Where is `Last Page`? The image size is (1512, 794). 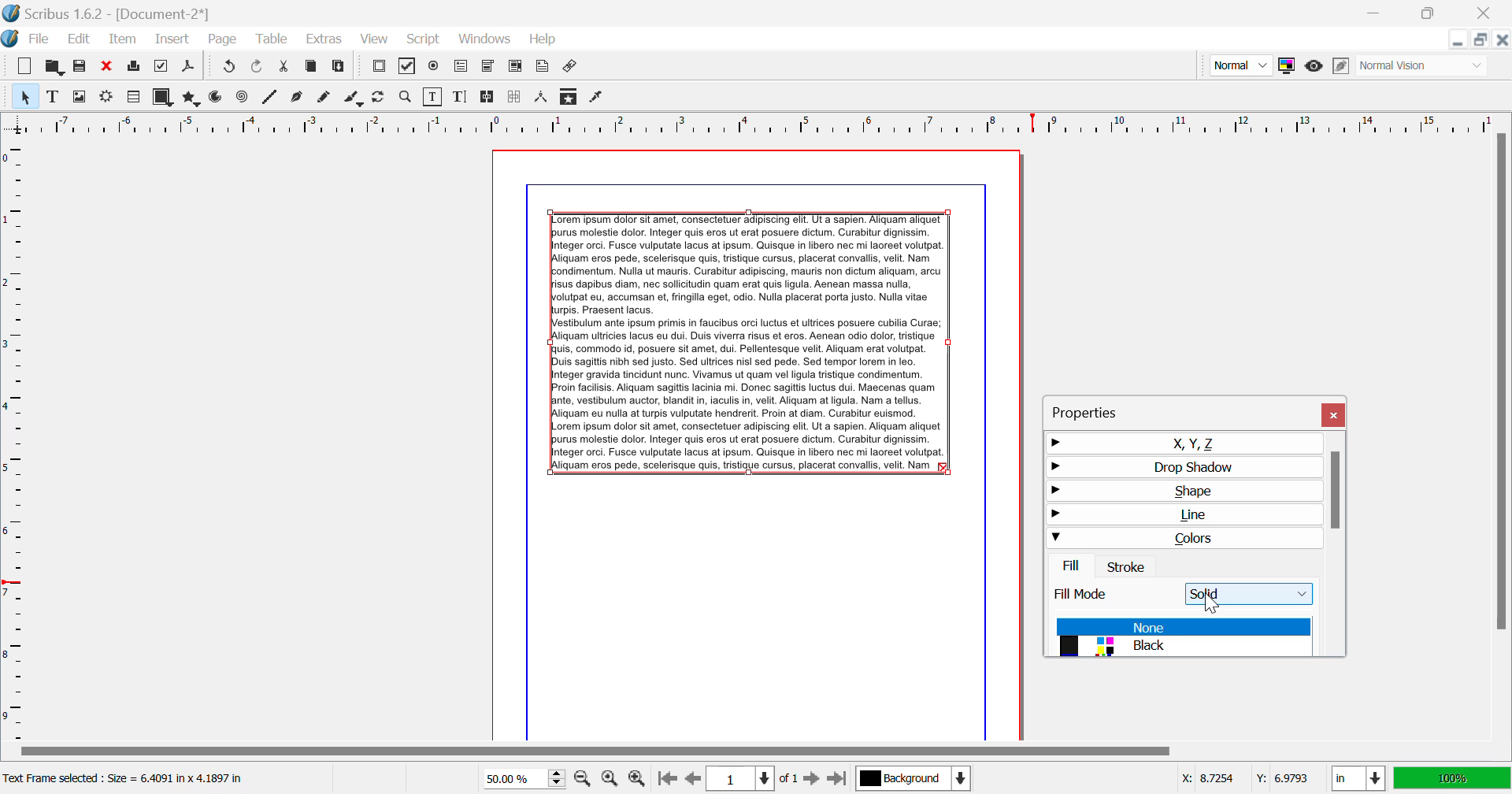
Last Page is located at coordinates (836, 779).